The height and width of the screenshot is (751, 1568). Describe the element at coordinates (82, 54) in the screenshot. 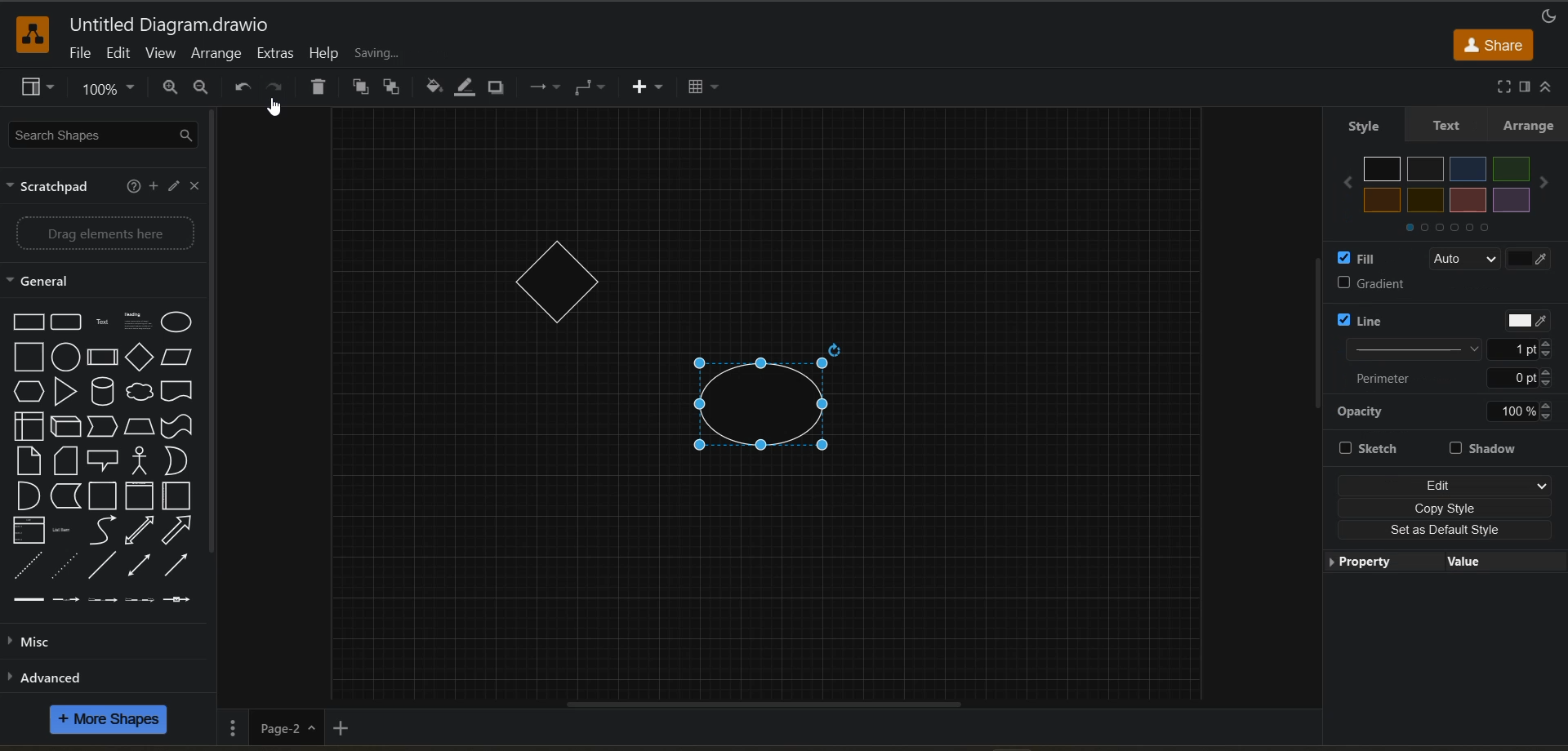

I see `file` at that location.